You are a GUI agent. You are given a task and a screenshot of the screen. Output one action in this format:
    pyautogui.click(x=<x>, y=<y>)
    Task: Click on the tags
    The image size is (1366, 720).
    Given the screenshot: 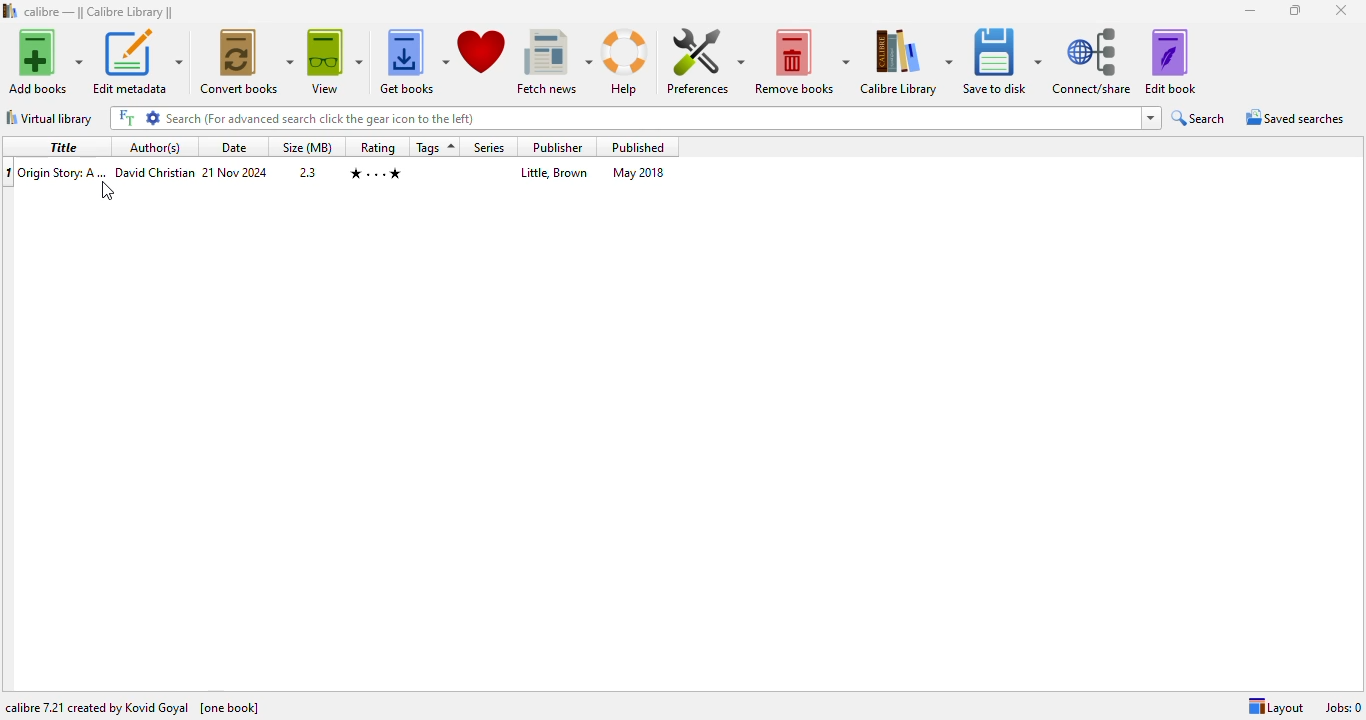 What is the action you would take?
    pyautogui.click(x=435, y=147)
    